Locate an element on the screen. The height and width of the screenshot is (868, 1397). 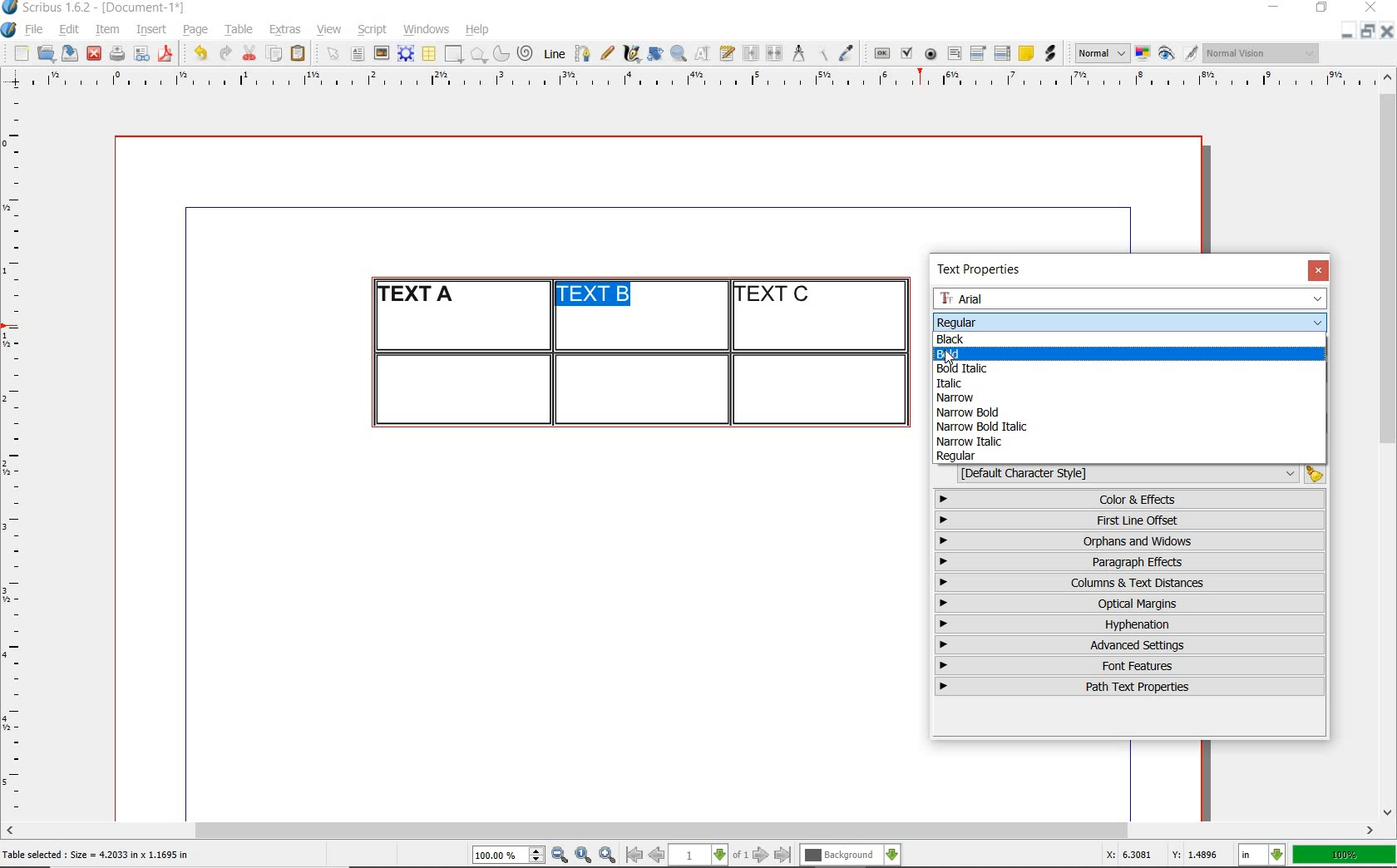
calligraphic line is located at coordinates (633, 53).